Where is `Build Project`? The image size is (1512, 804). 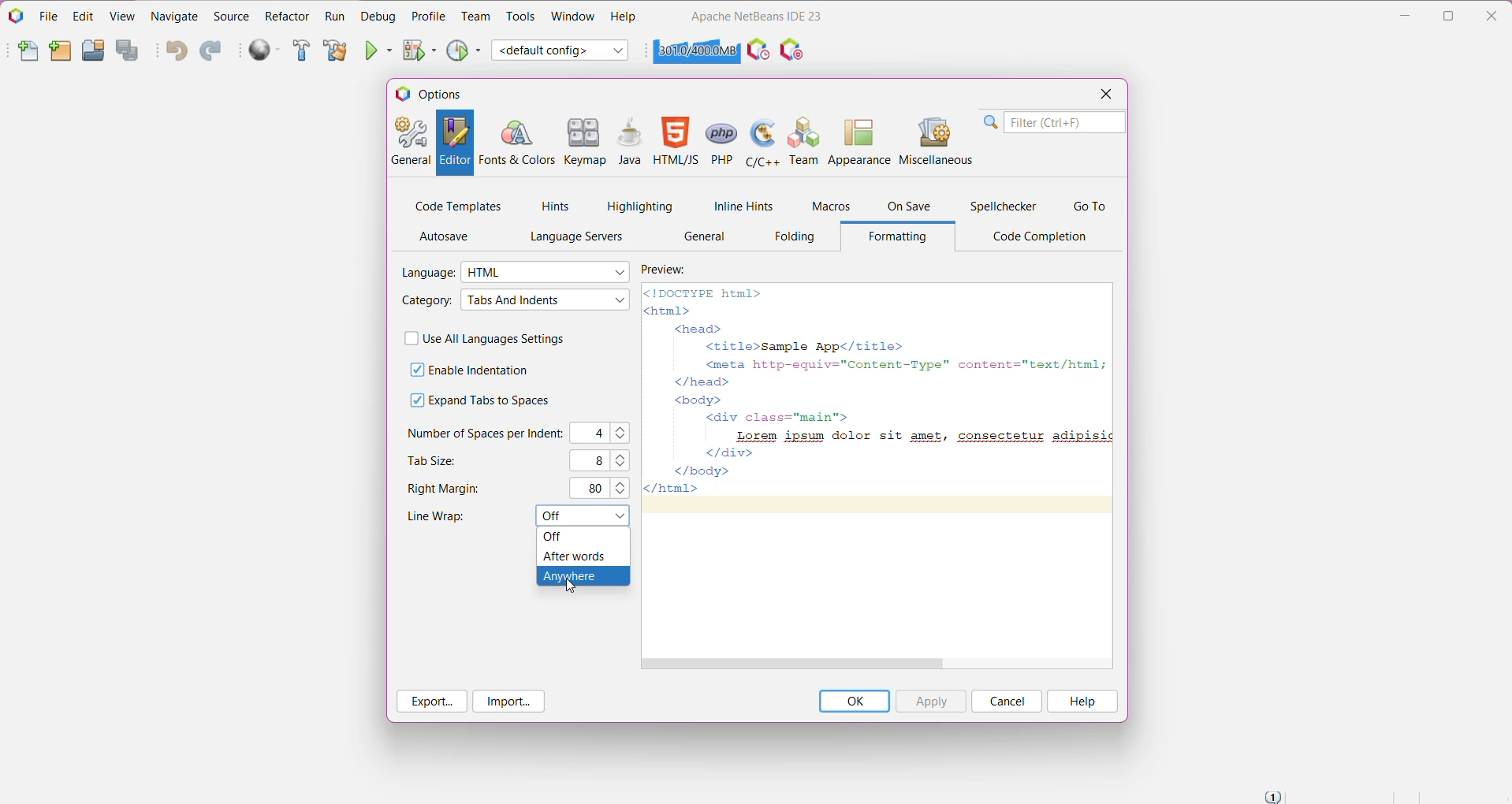
Build Project is located at coordinates (302, 51).